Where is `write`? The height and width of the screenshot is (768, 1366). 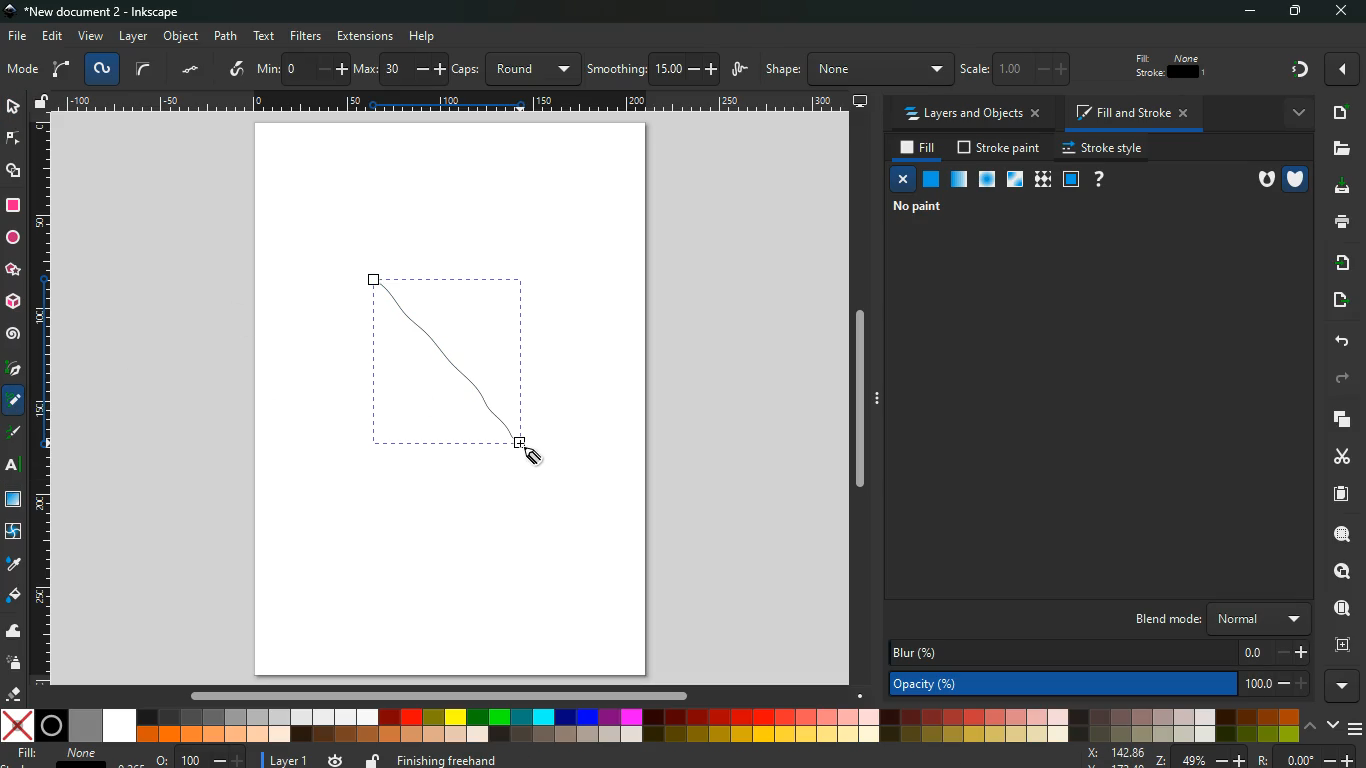
write is located at coordinates (238, 70).